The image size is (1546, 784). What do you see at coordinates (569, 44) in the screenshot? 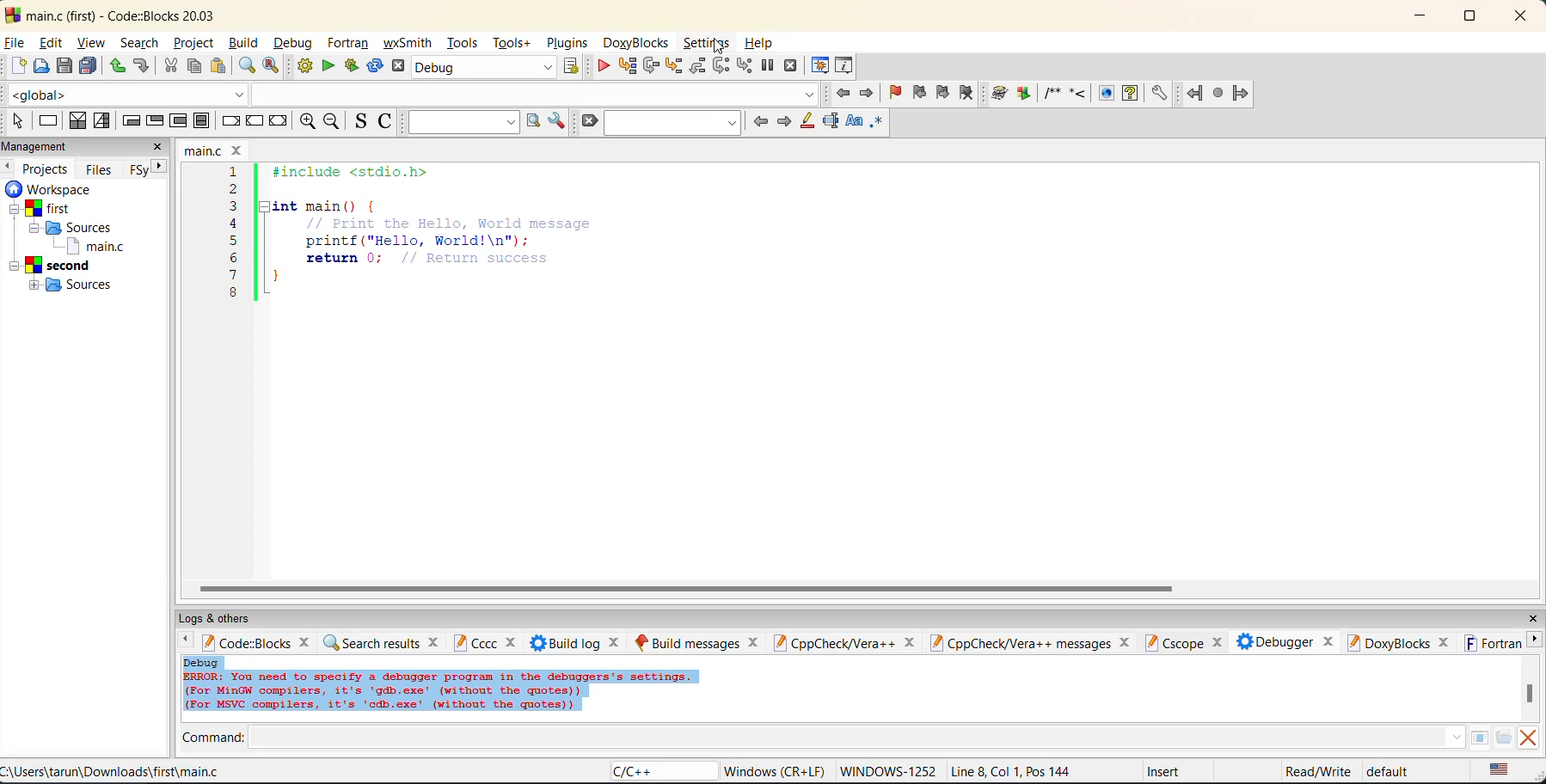
I see `plugins` at bounding box center [569, 44].